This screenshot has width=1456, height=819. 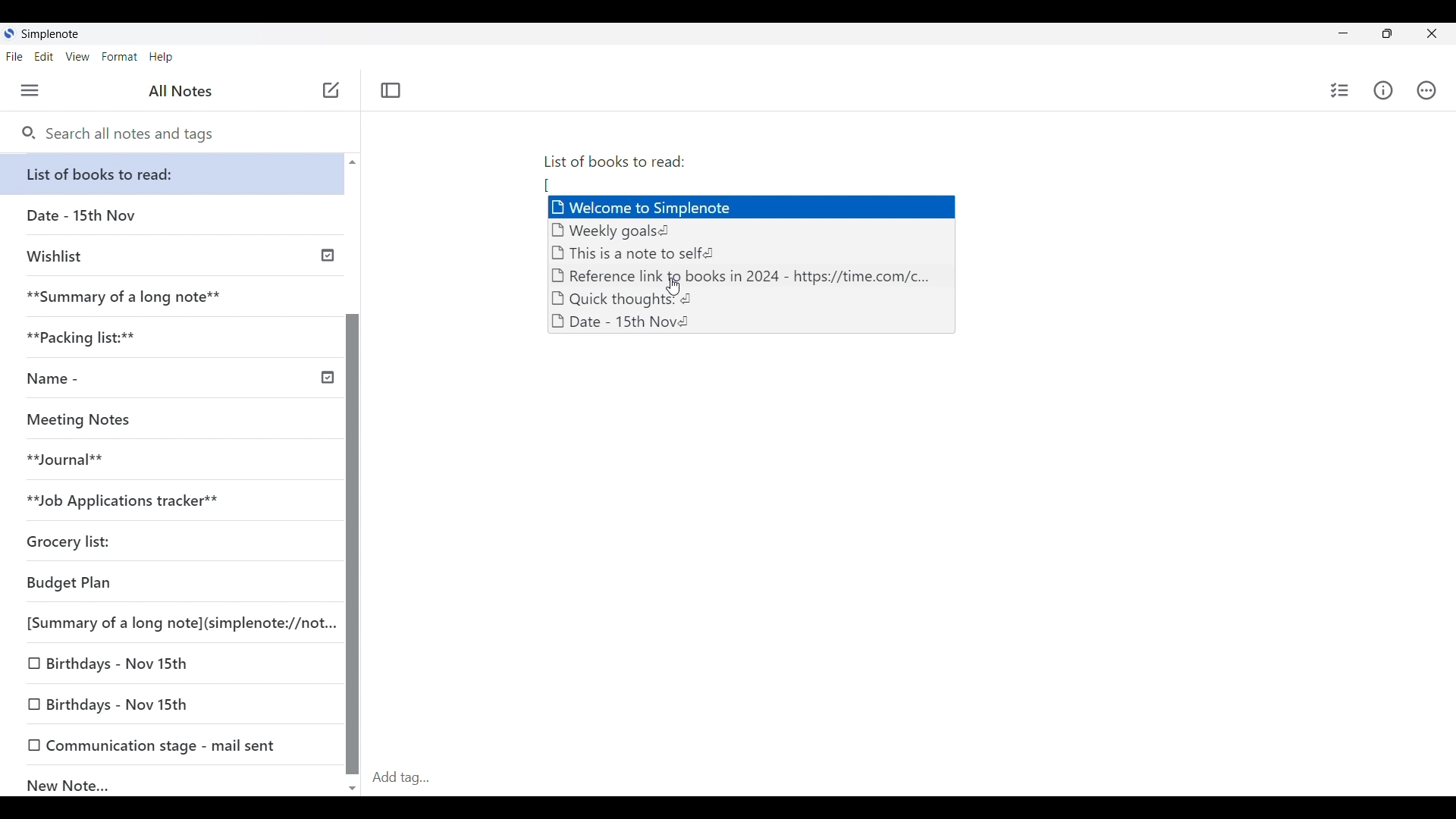 What do you see at coordinates (391, 90) in the screenshot?
I see `Toggle focus mode` at bounding box center [391, 90].